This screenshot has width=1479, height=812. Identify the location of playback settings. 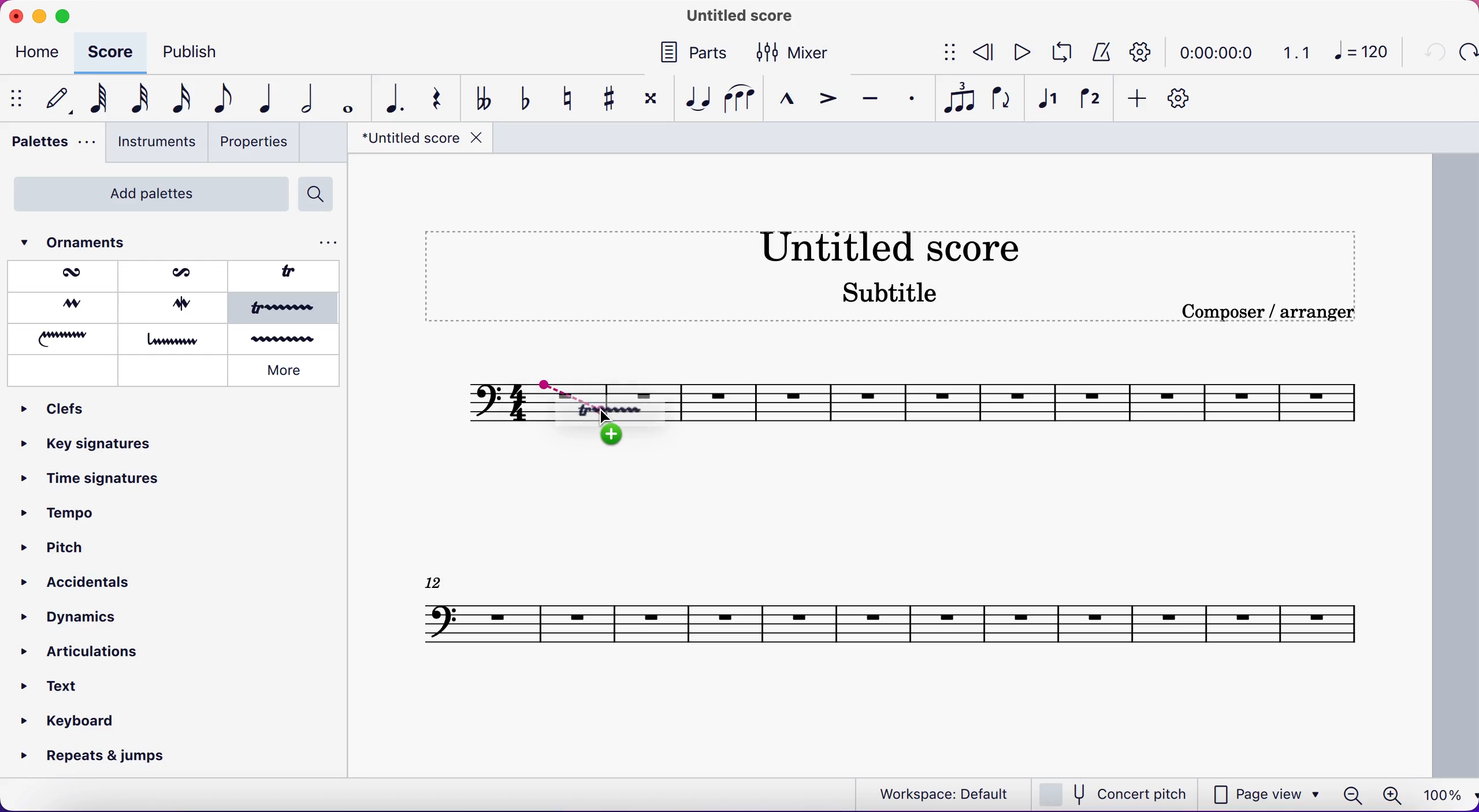
(1145, 51).